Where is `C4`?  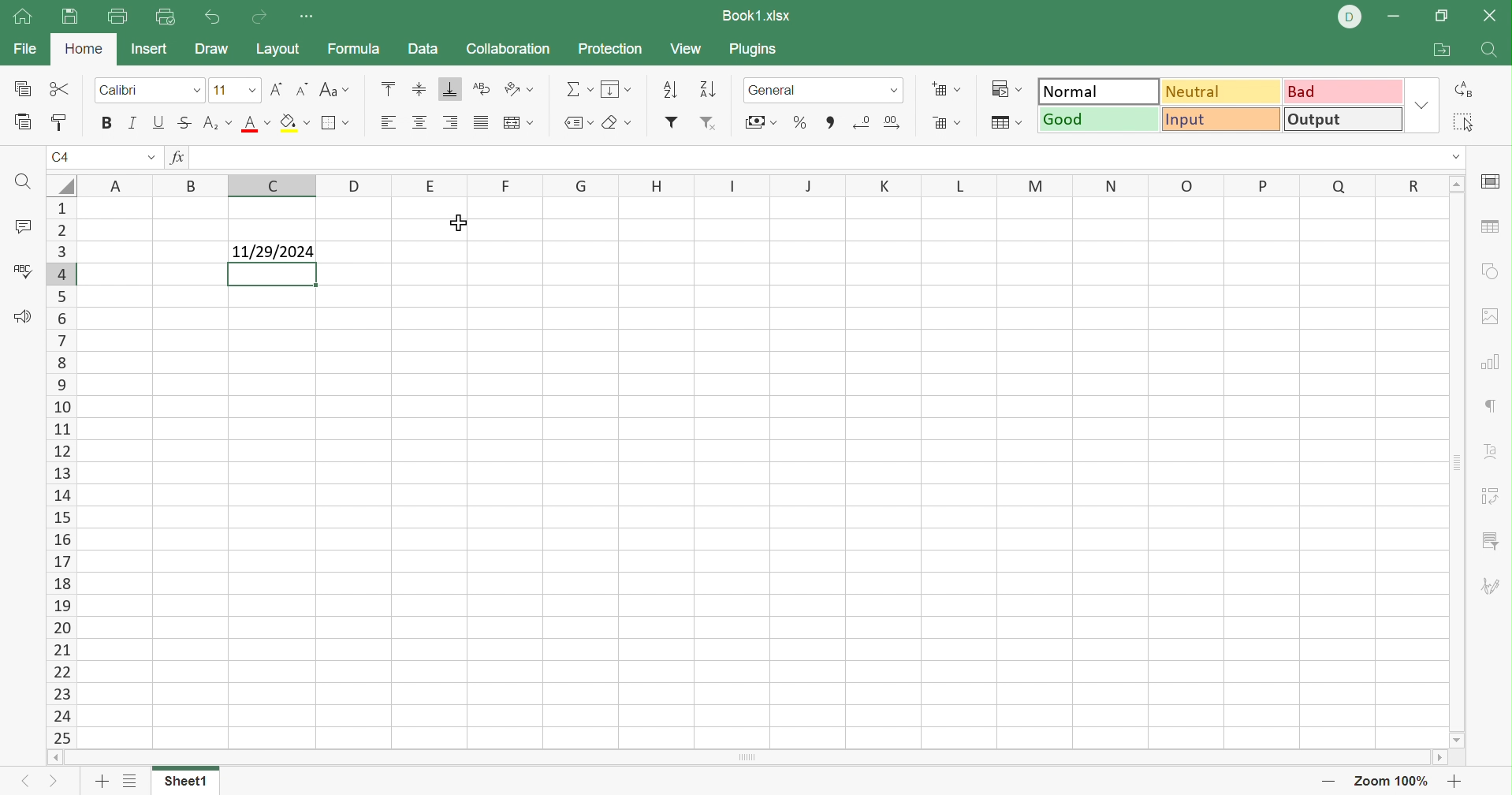
C4 is located at coordinates (61, 155).